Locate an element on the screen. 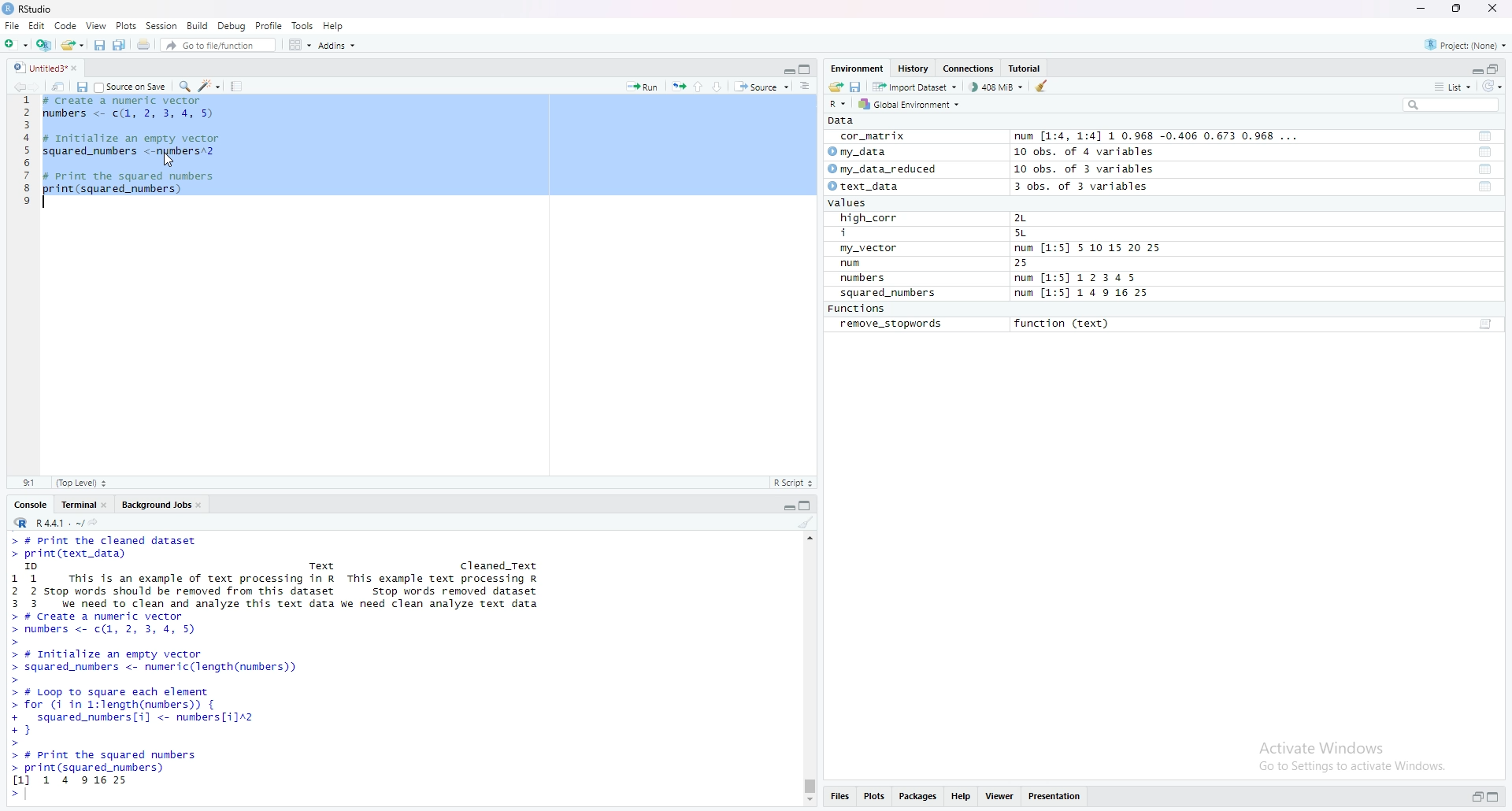 This screenshot has height=811, width=1512. remove_stopwords is located at coordinates (891, 324).